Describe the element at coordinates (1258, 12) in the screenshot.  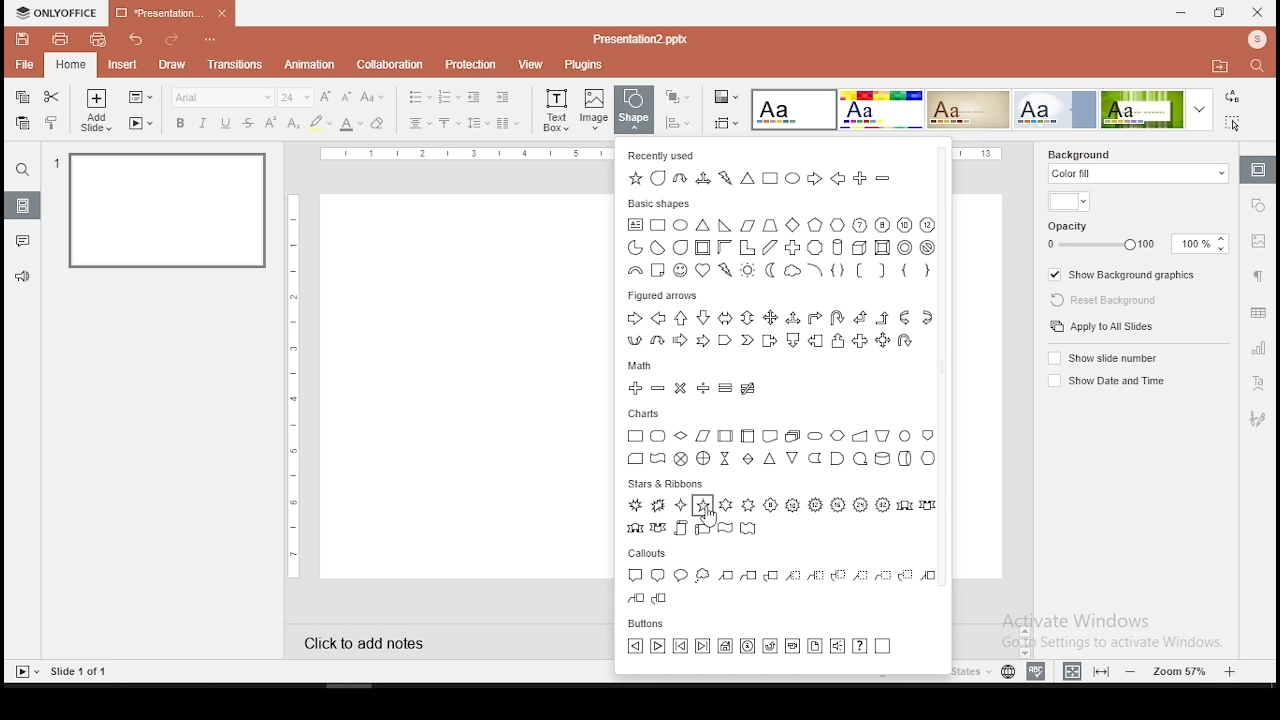
I see `close window` at that location.